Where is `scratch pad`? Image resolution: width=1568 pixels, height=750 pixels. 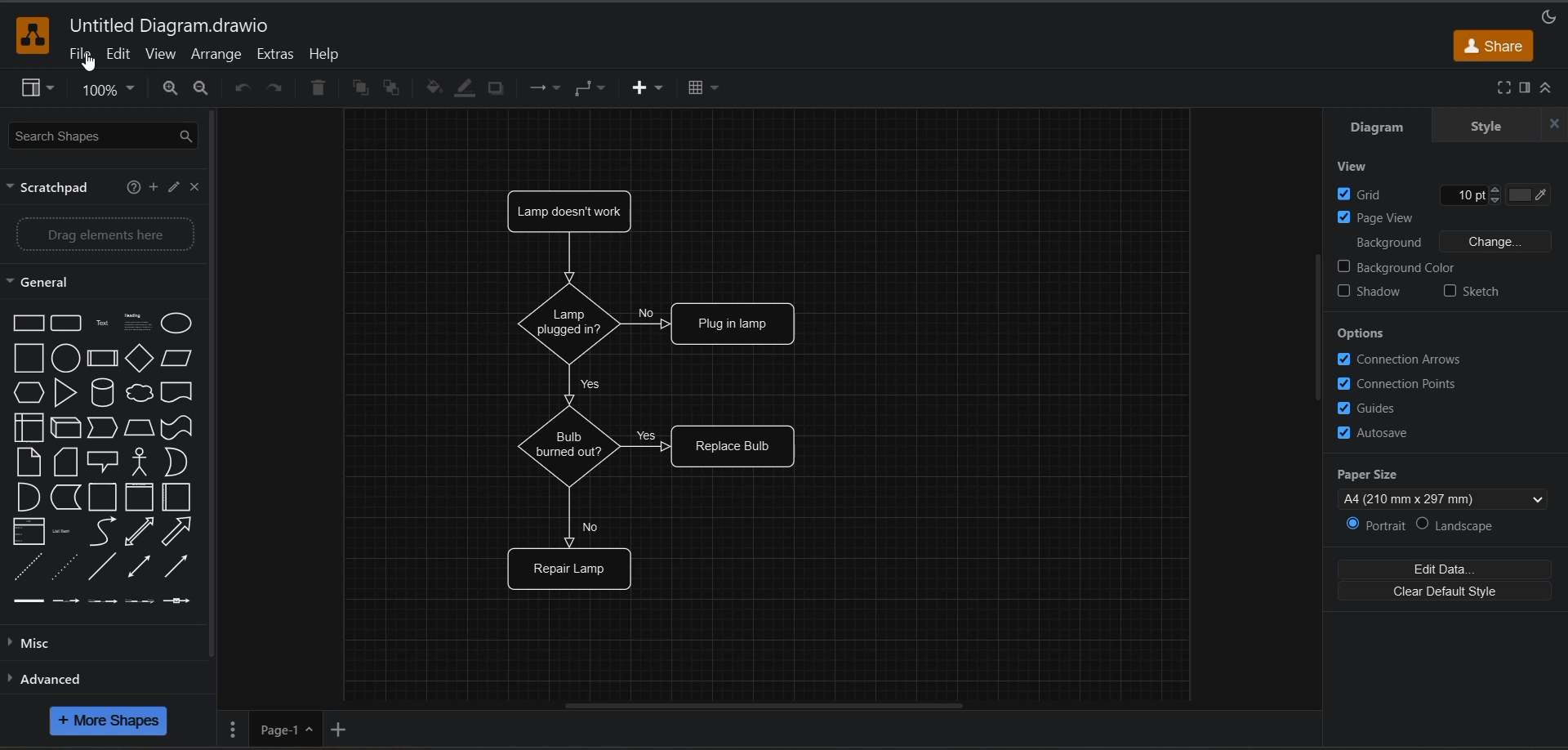 scratch pad is located at coordinates (46, 185).